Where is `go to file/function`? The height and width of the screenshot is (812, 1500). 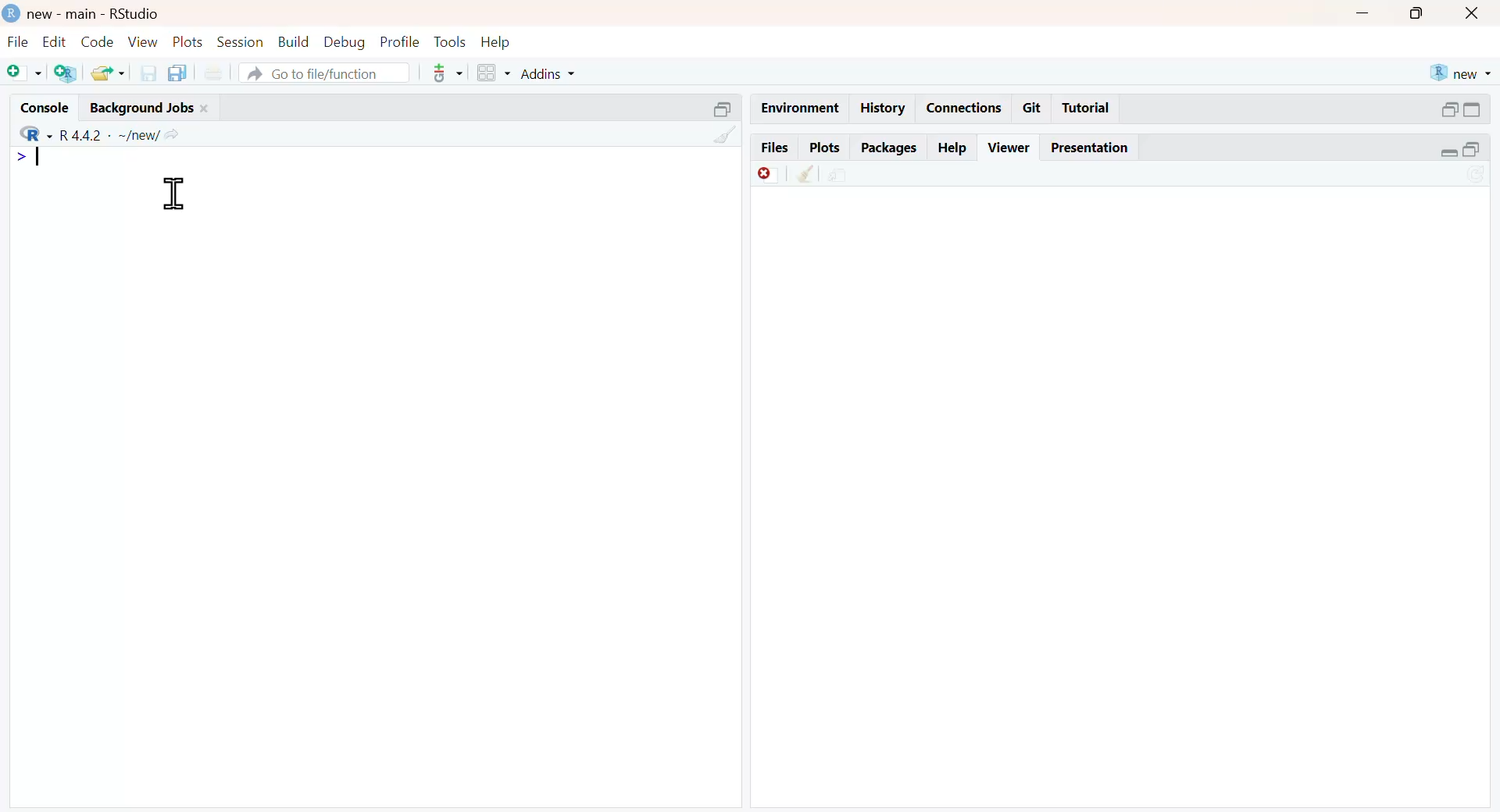 go to file/function is located at coordinates (325, 73).